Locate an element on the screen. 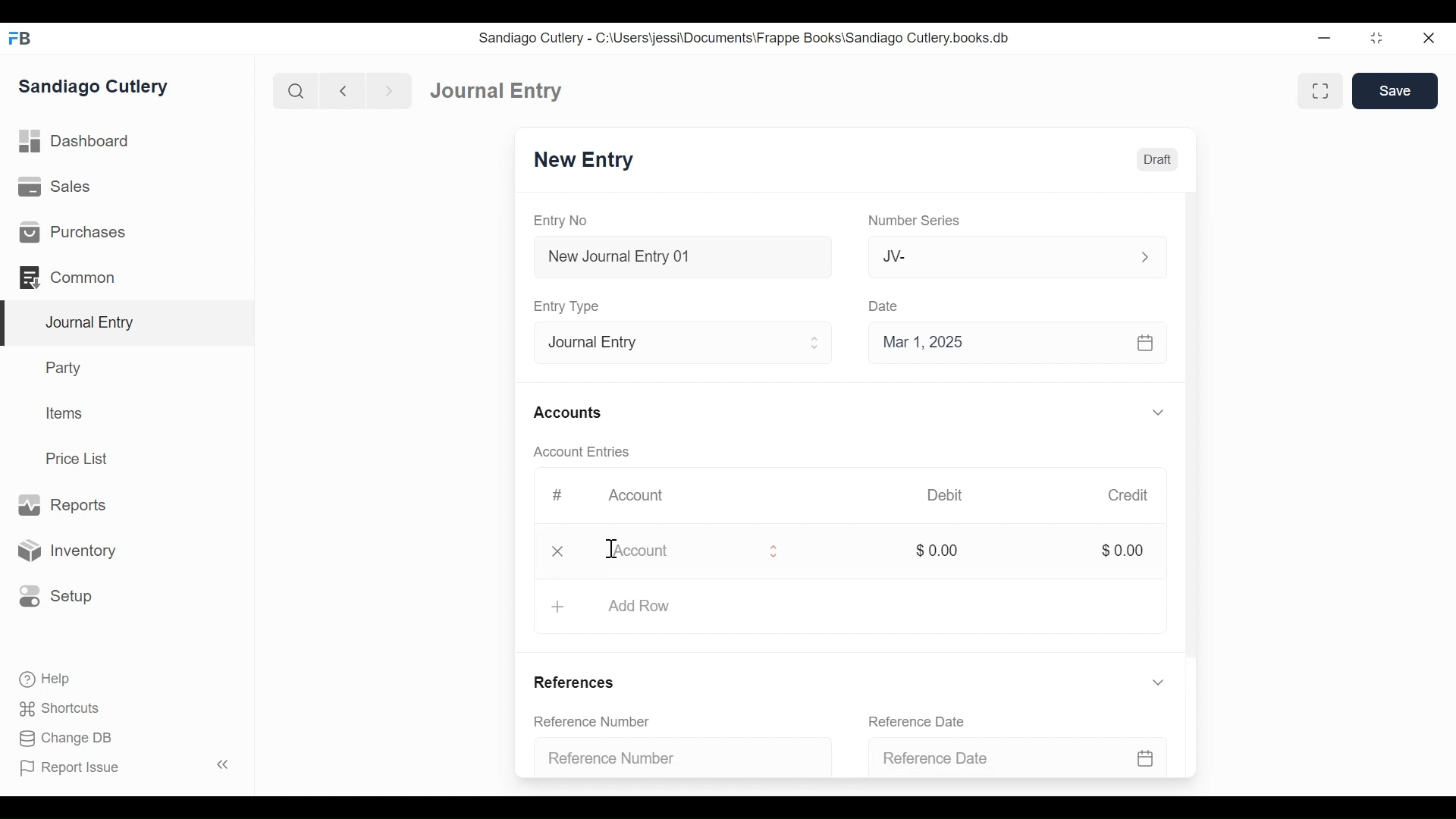  FrappeBooks logo is located at coordinates (19, 38).